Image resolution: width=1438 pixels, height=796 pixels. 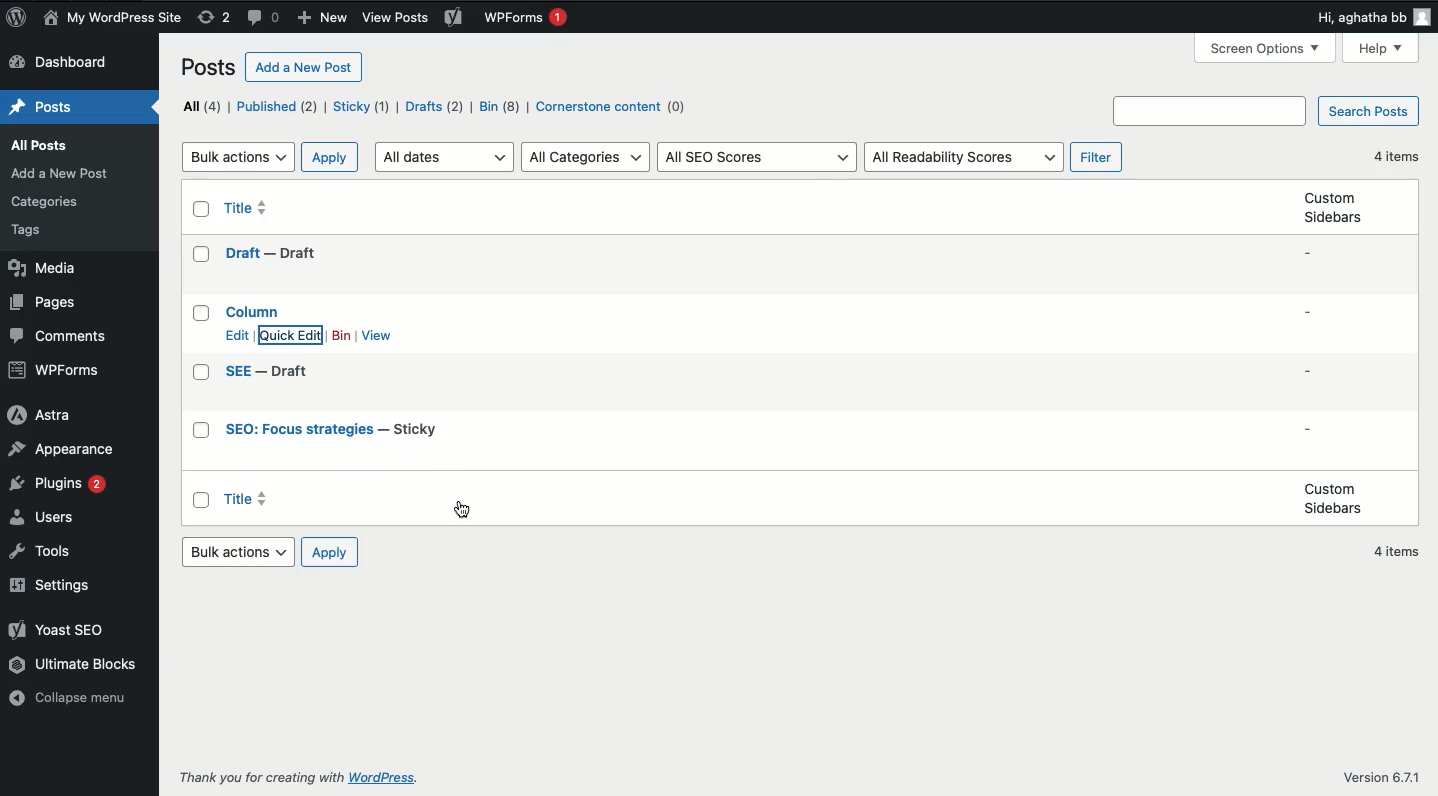 I want to click on Collapse menu, so click(x=74, y=702).